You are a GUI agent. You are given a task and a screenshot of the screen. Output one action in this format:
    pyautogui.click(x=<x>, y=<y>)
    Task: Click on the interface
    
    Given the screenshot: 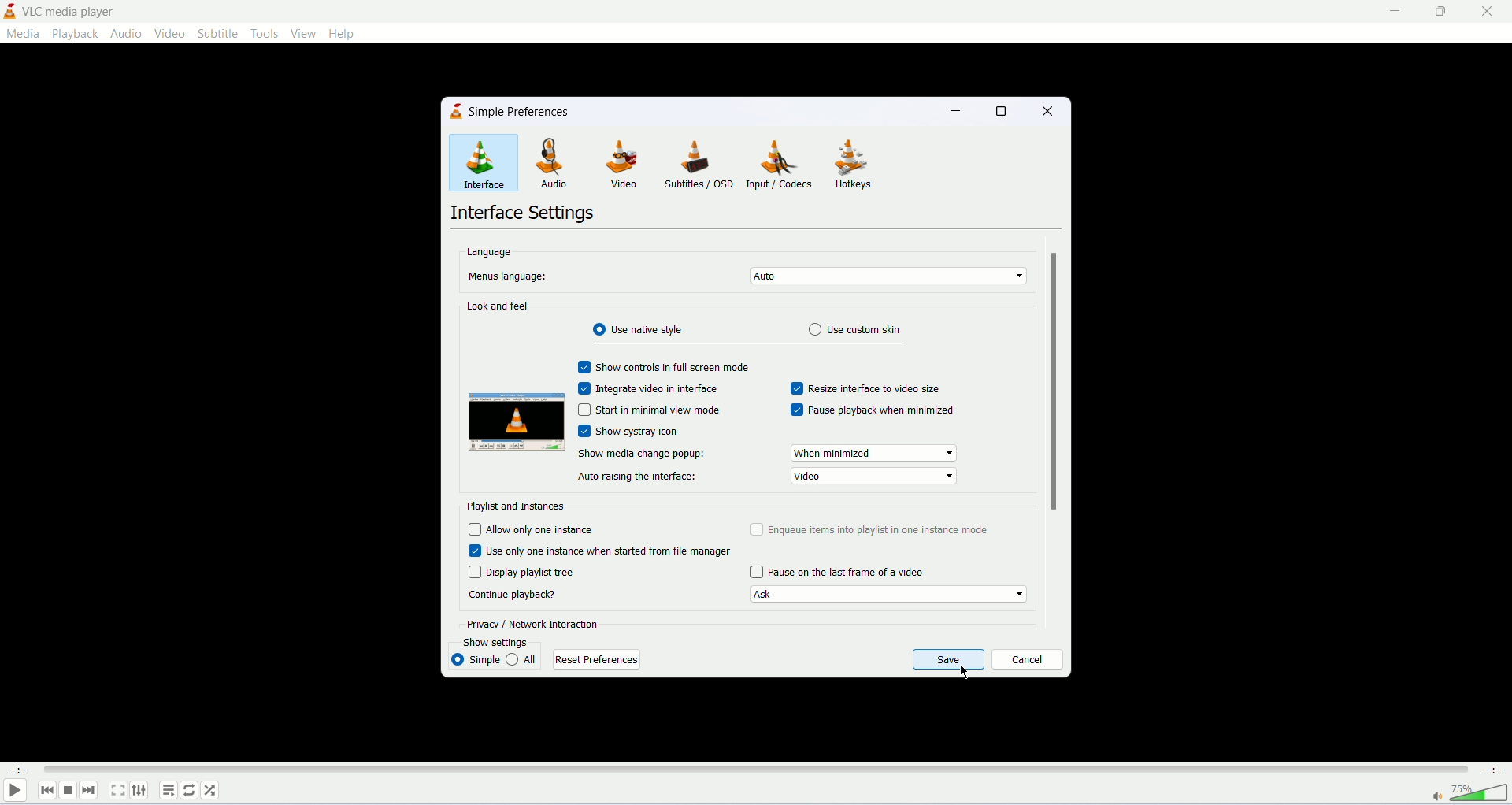 What is the action you would take?
    pyautogui.click(x=475, y=166)
    